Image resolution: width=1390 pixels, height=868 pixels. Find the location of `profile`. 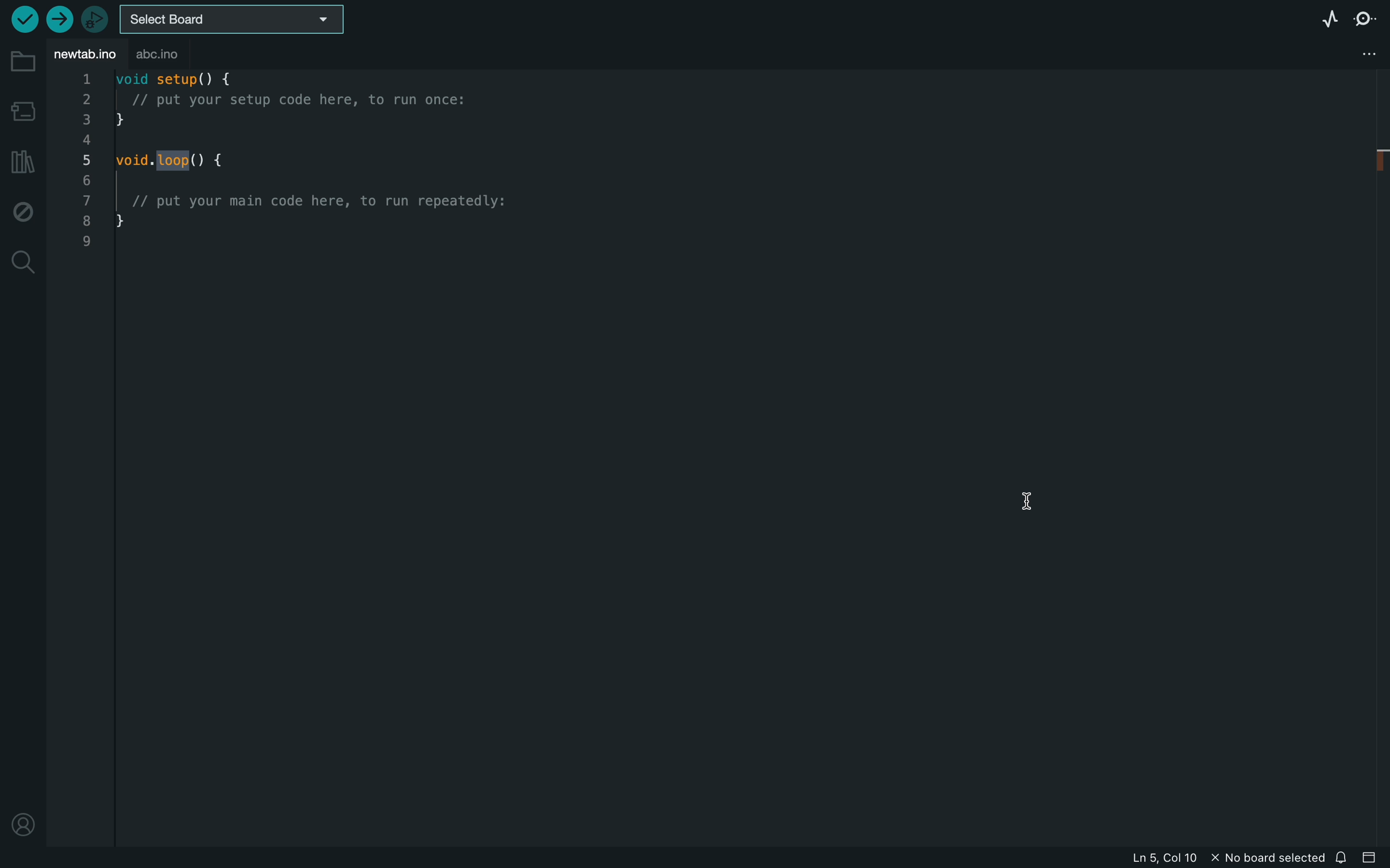

profile is located at coordinates (23, 822).